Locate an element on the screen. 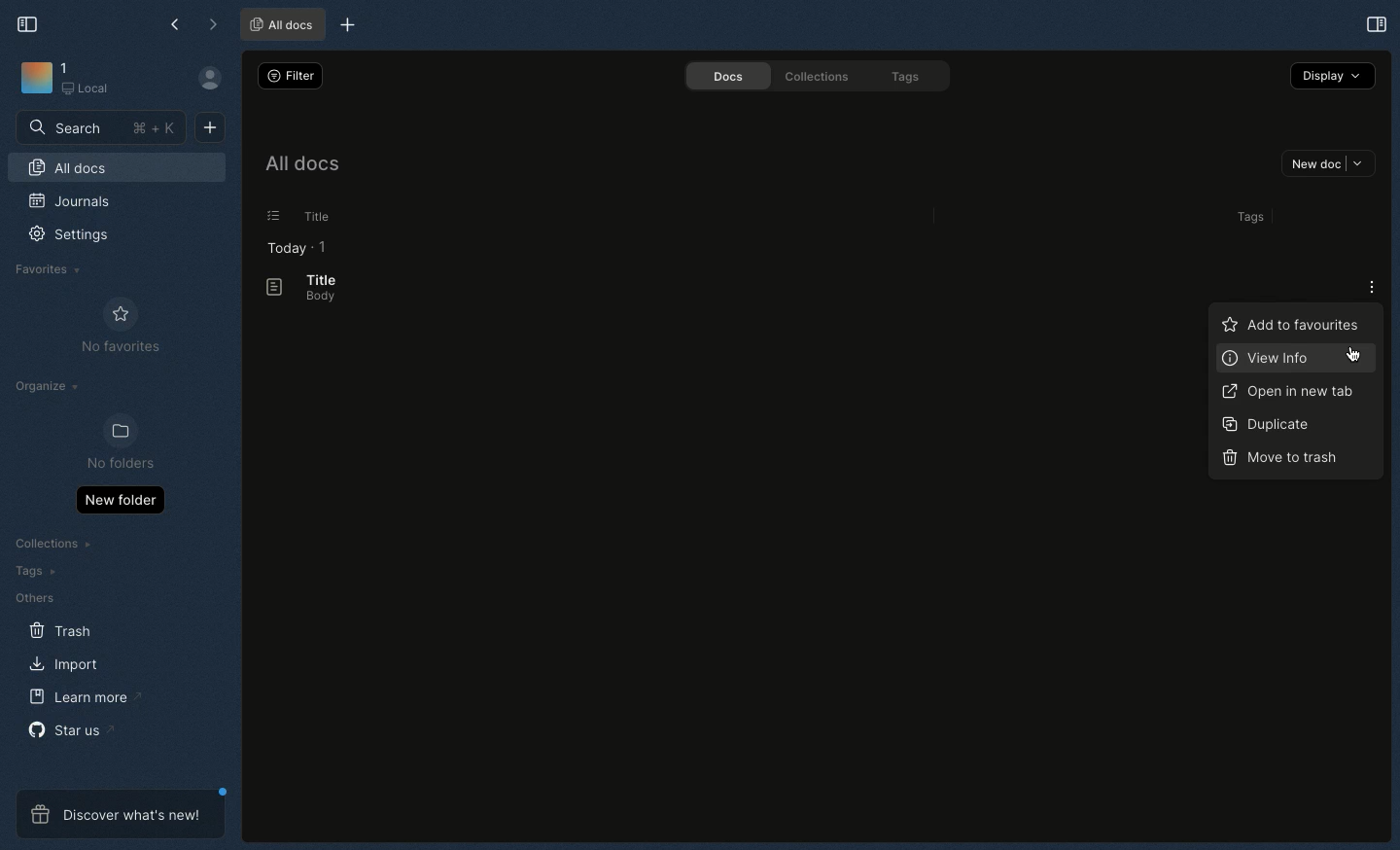  Favorites is located at coordinates (49, 269).